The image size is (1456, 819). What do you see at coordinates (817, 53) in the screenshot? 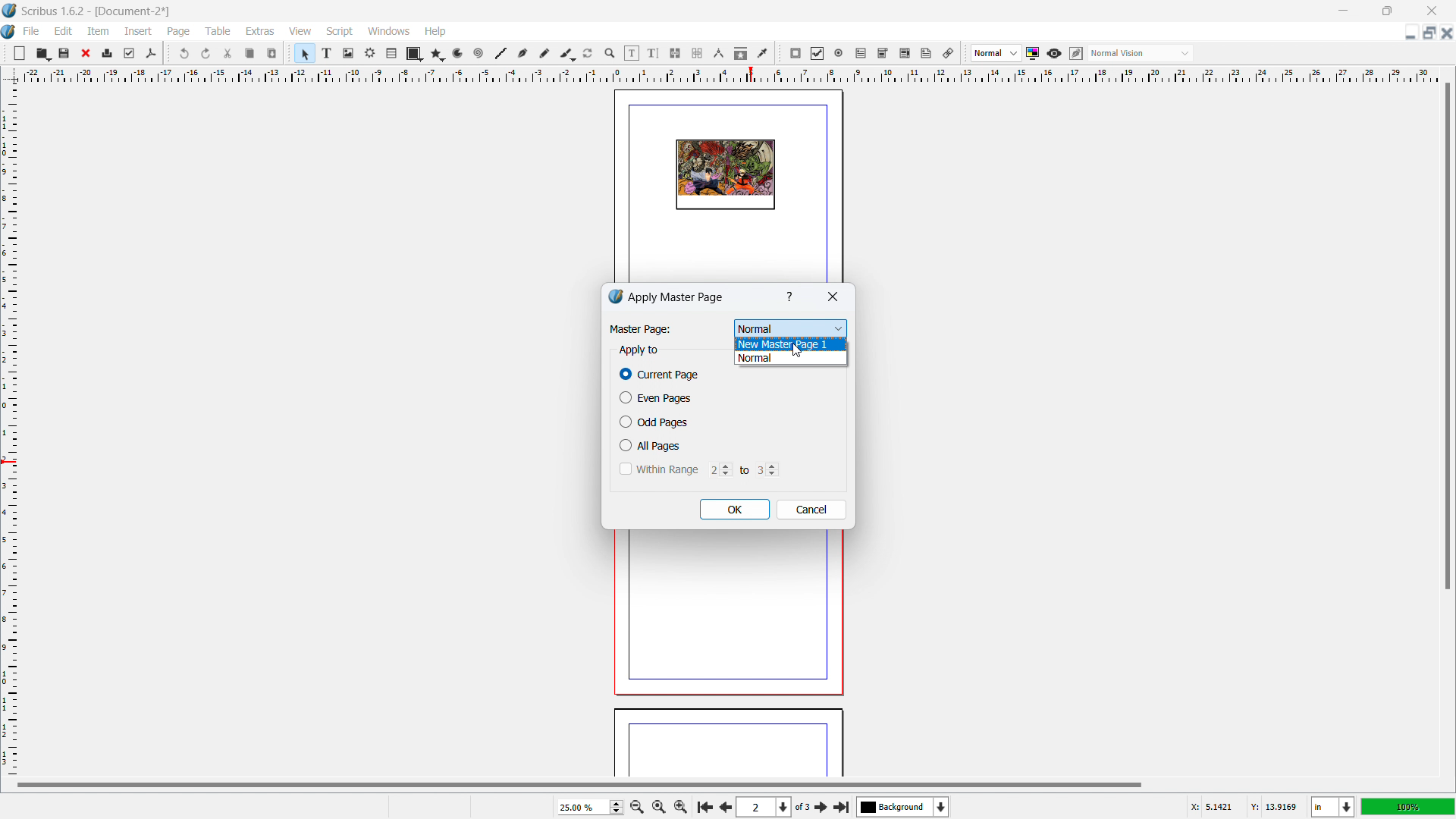
I see `pdf checkbox` at bounding box center [817, 53].